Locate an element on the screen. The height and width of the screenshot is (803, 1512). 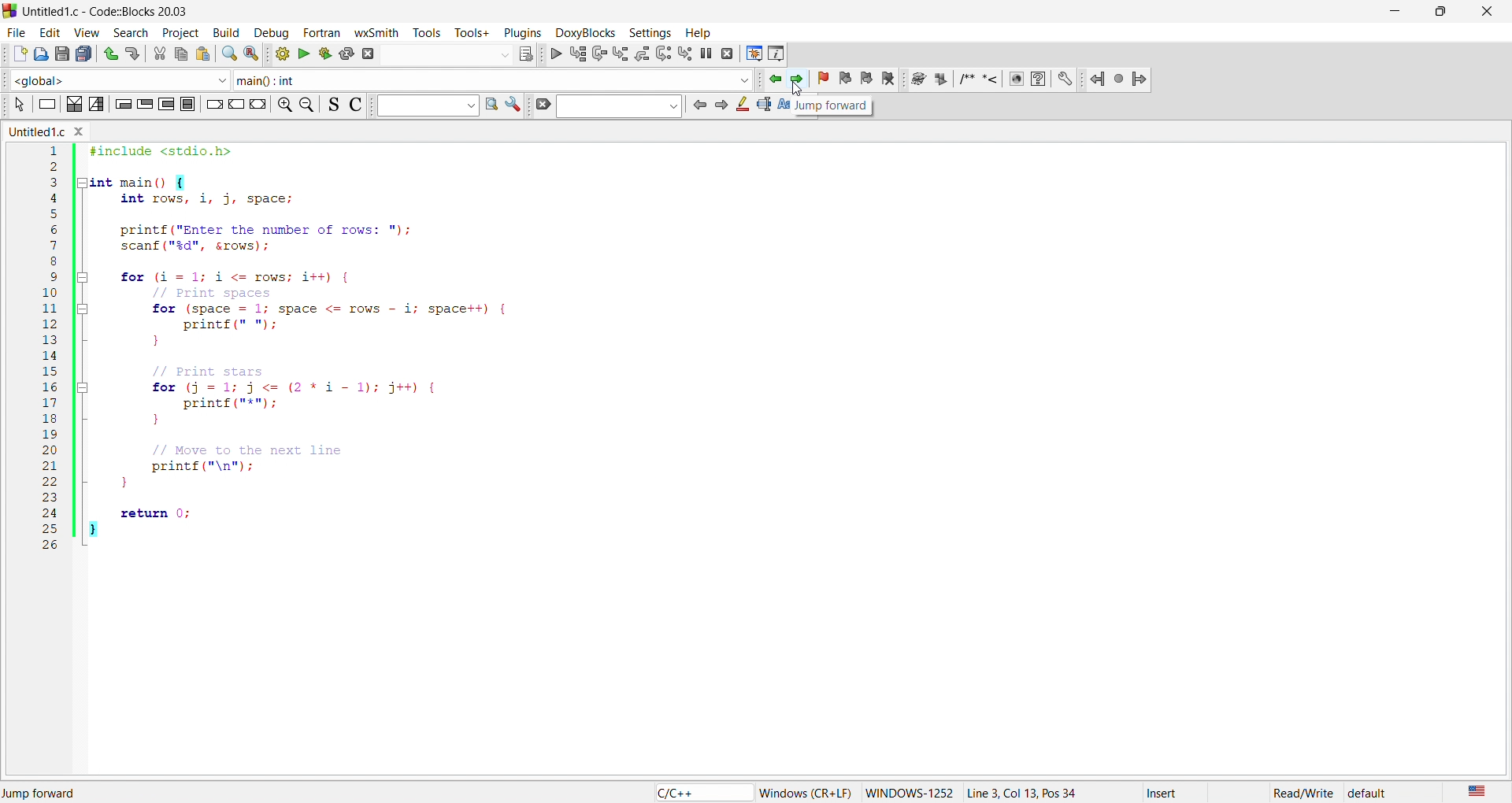
search bar is located at coordinates (451, 54).